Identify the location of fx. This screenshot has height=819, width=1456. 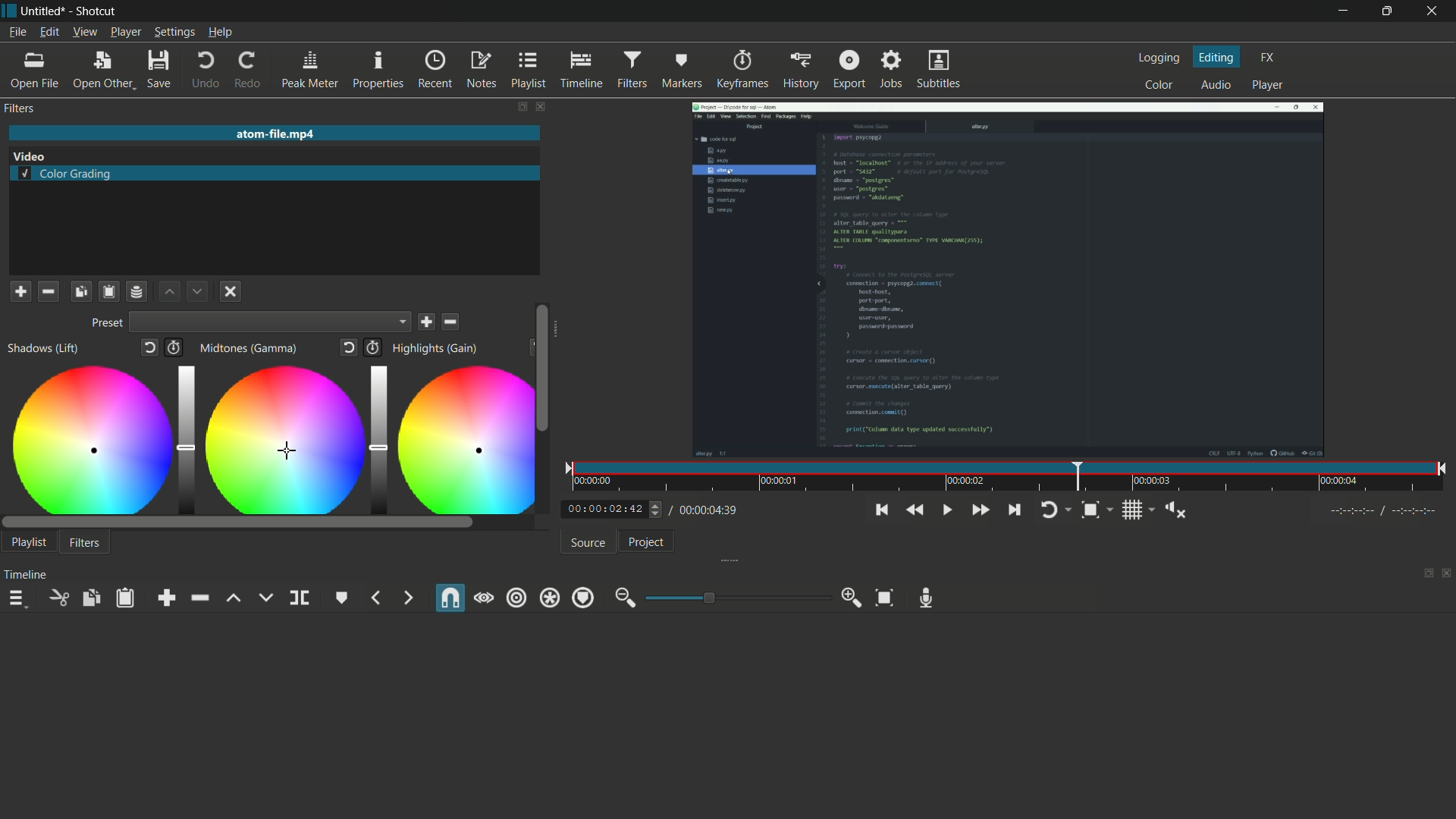
(1269, 56).